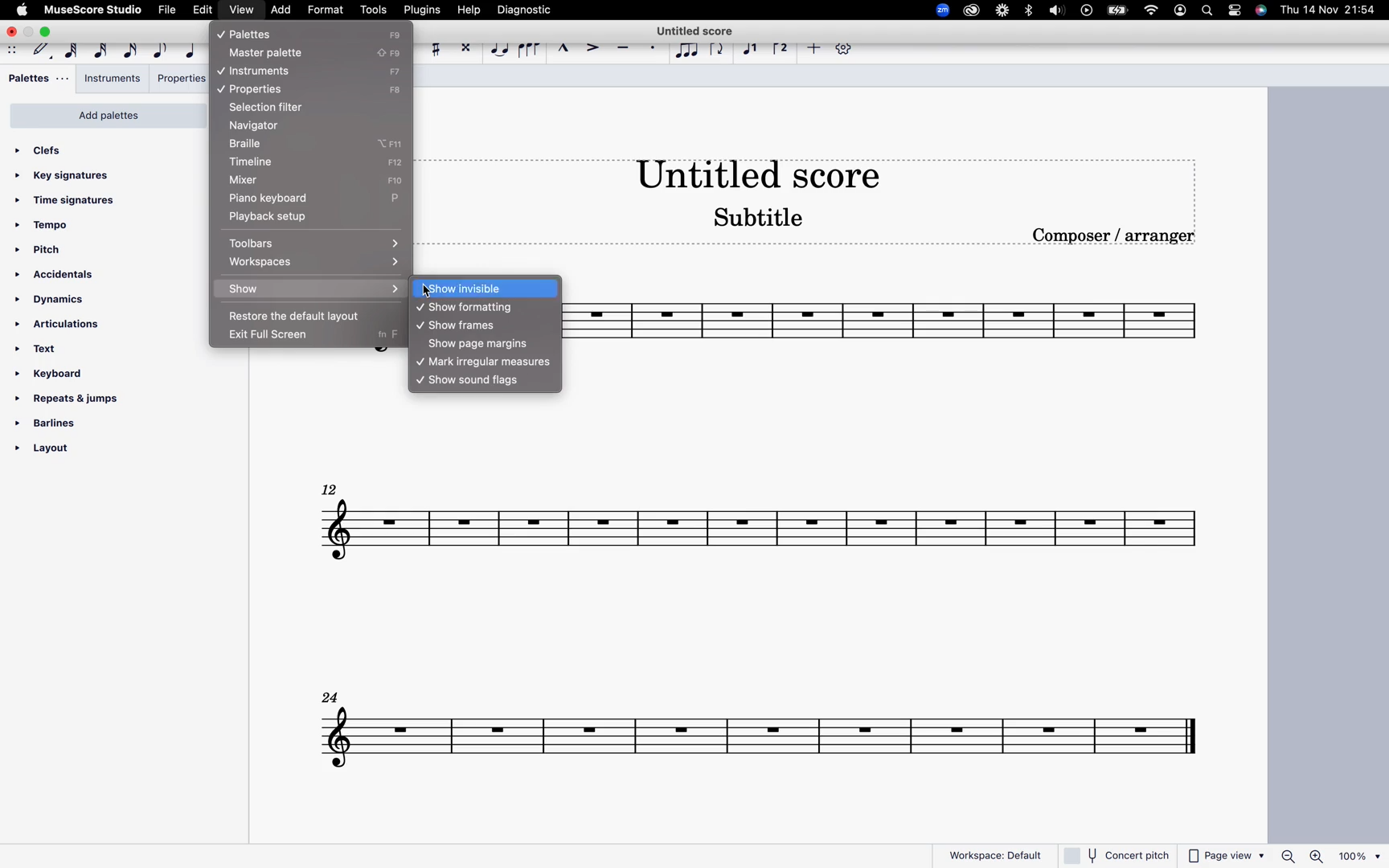 This screenshot has height=868, width=1389. What do you see at coordinates (969, 13) in the screenshot?
I see `creative cloud` at bounding box center [969, 13].